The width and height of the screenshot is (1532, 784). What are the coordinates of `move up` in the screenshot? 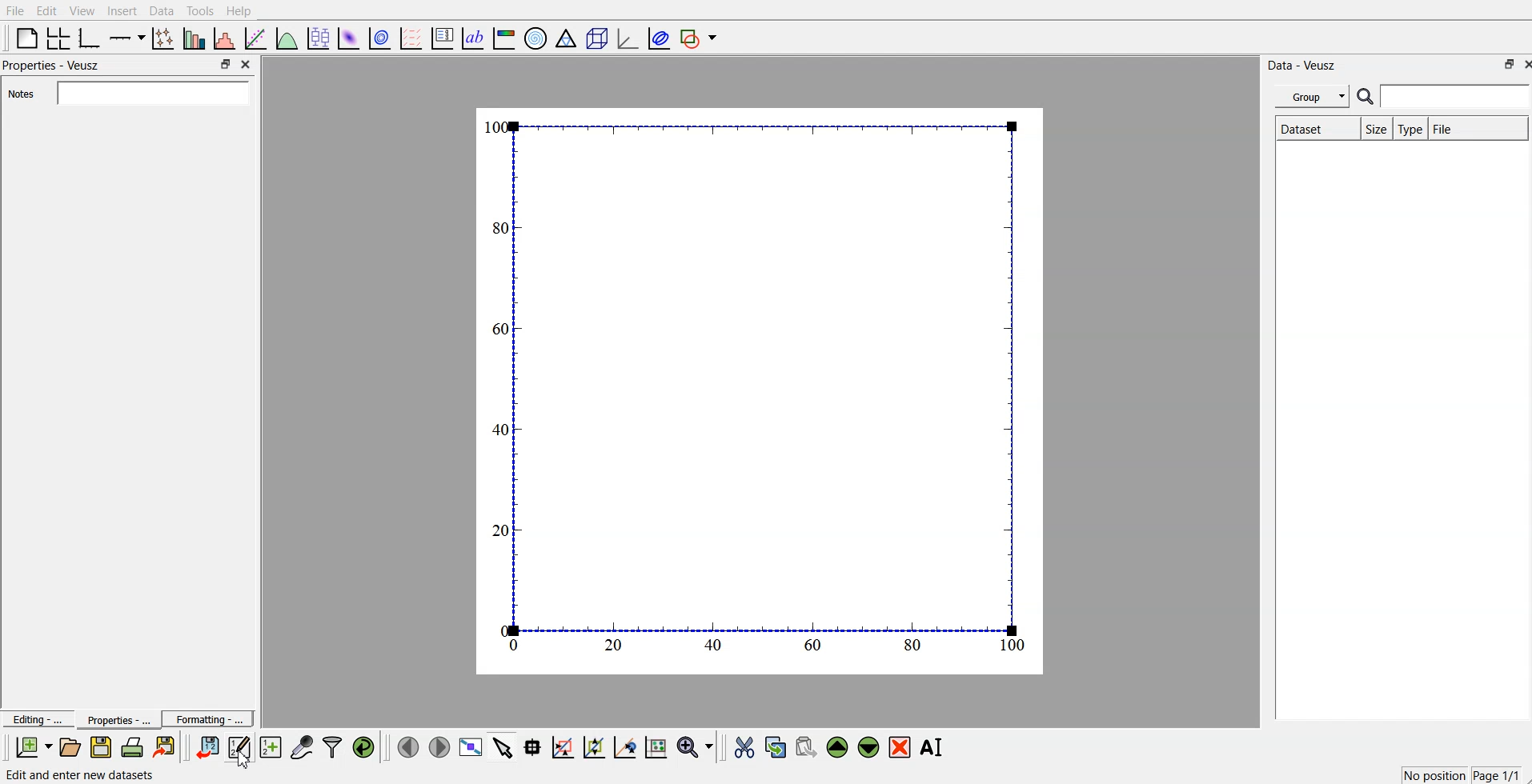 It's located at (839, 746).